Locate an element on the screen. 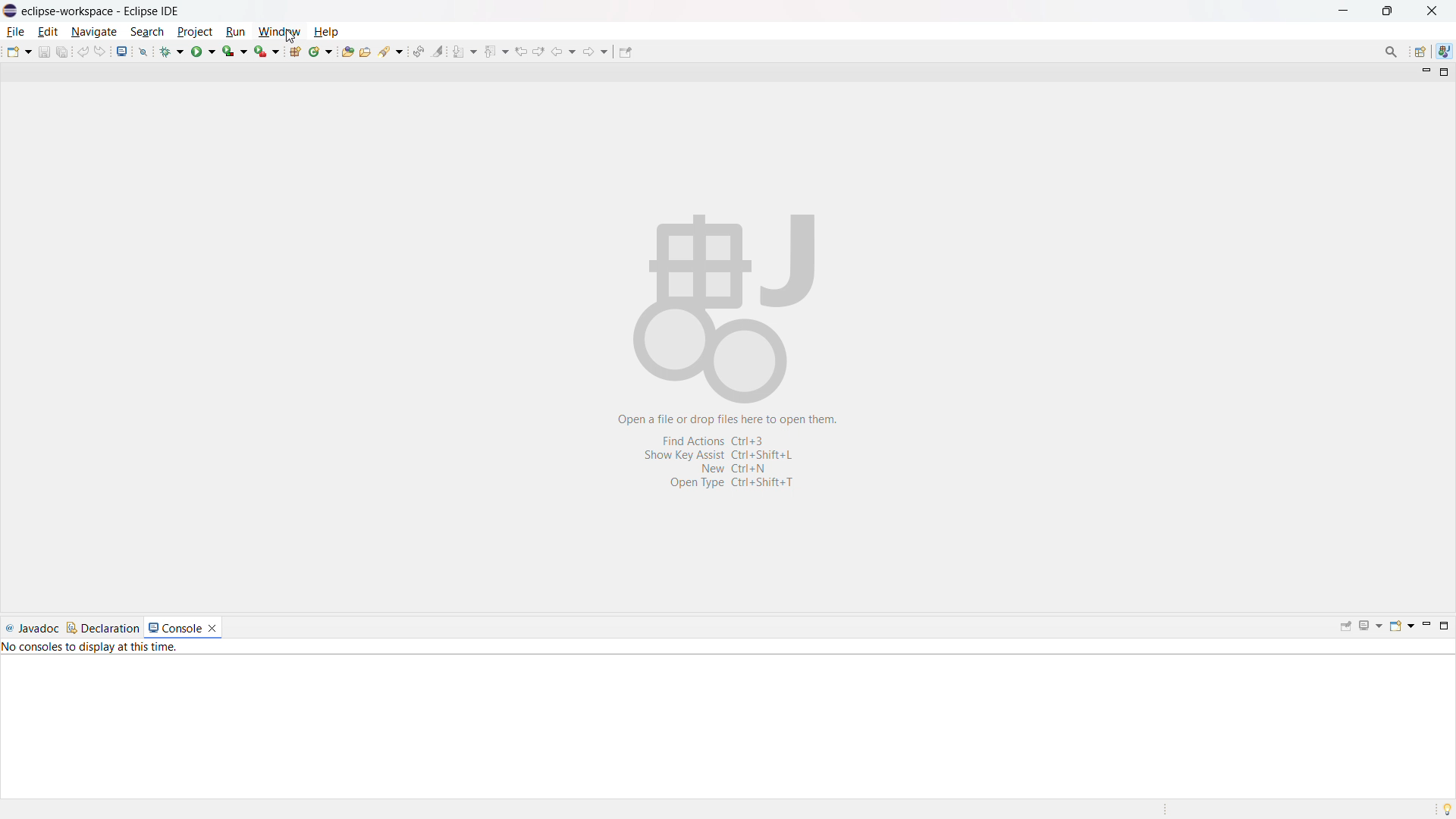 This screenshot has height=819, width=1456. skip all breakpoints is located at coordinates (143, 52).